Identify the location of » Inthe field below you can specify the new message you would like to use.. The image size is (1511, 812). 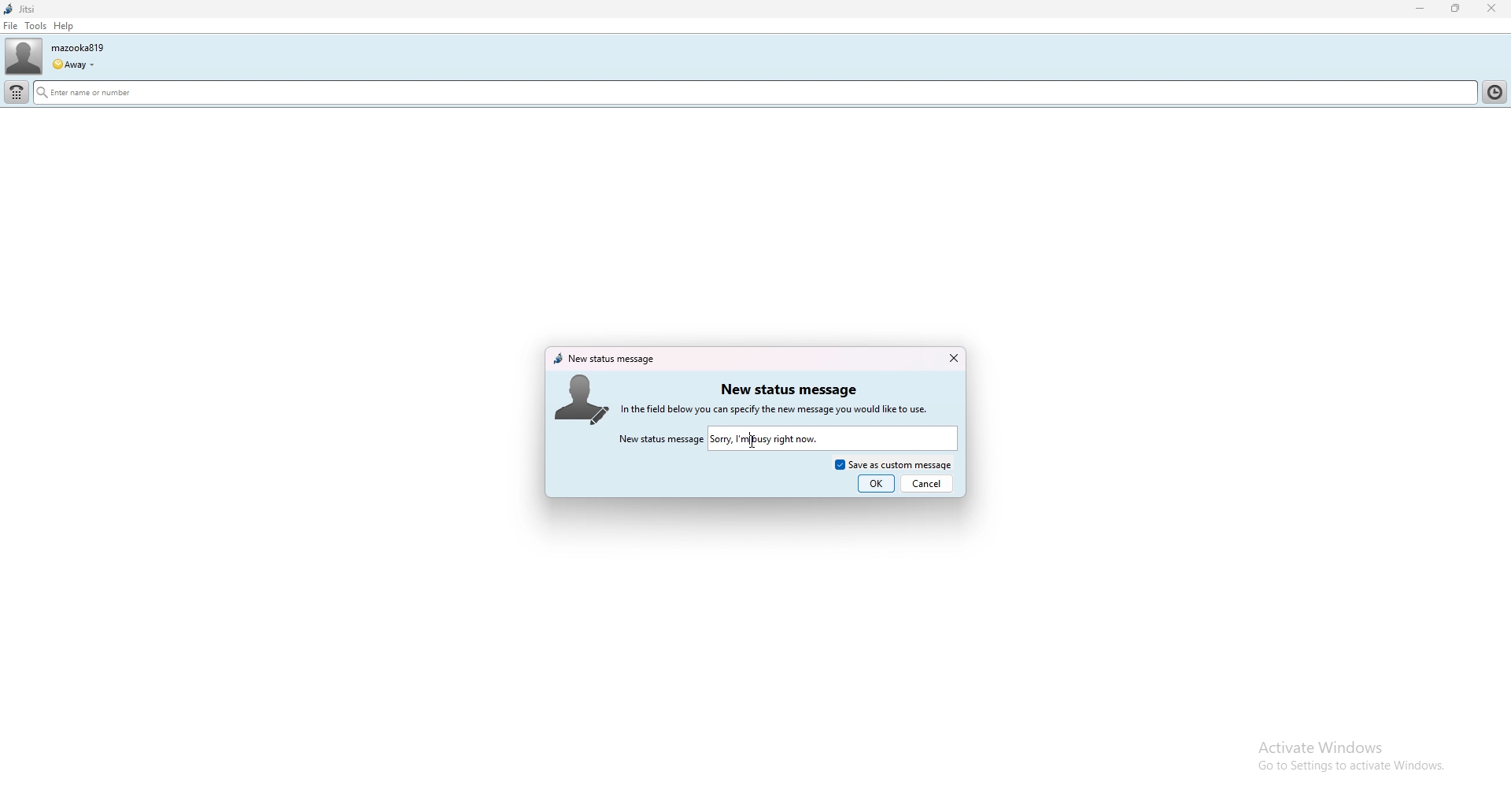
(790, 409).